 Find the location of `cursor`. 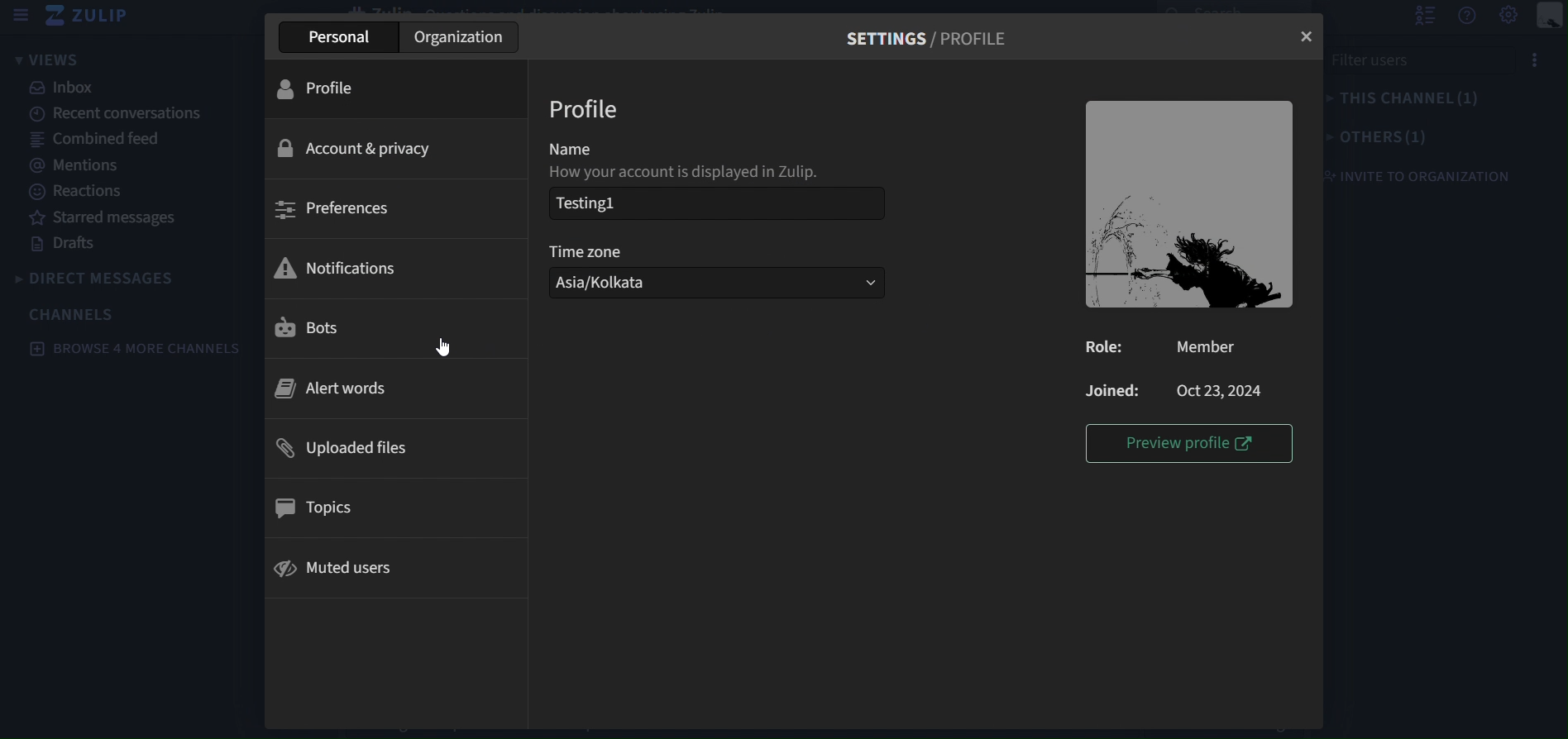

cursor is located at coordinates (446, 350).